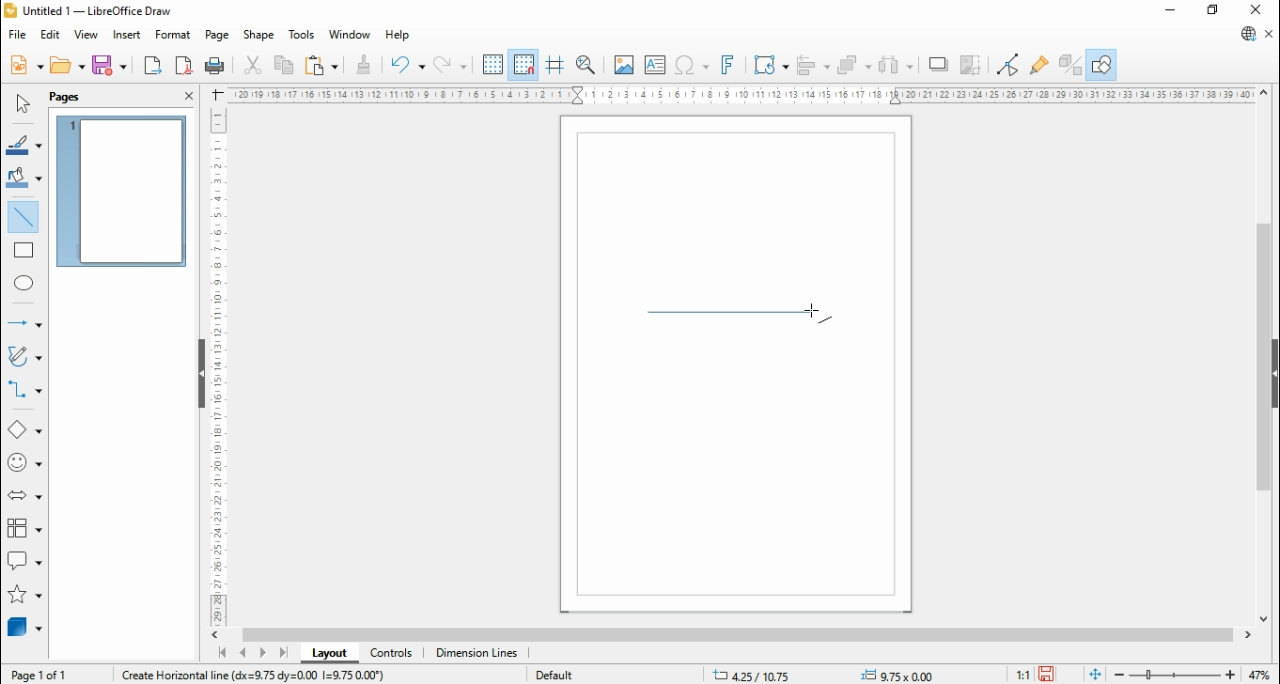 The width and height of the screenshot is (1280, 684). Describe the element at coordinates (1253, 10) in the screenshot. I see `close window` at that location.